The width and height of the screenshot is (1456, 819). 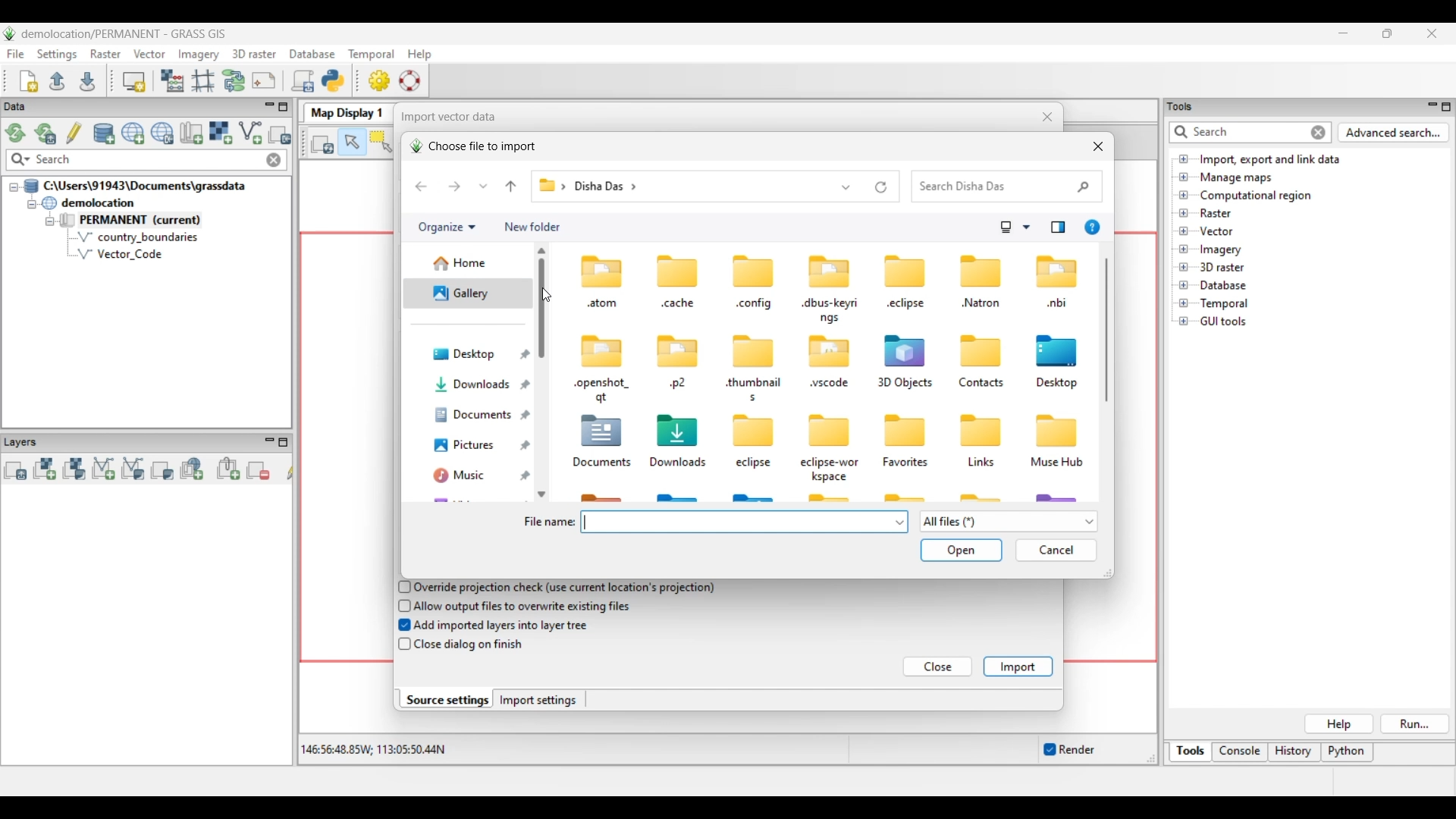 I want to click on Create new project (location) to current GRASS database, so click(x=133, y=133).